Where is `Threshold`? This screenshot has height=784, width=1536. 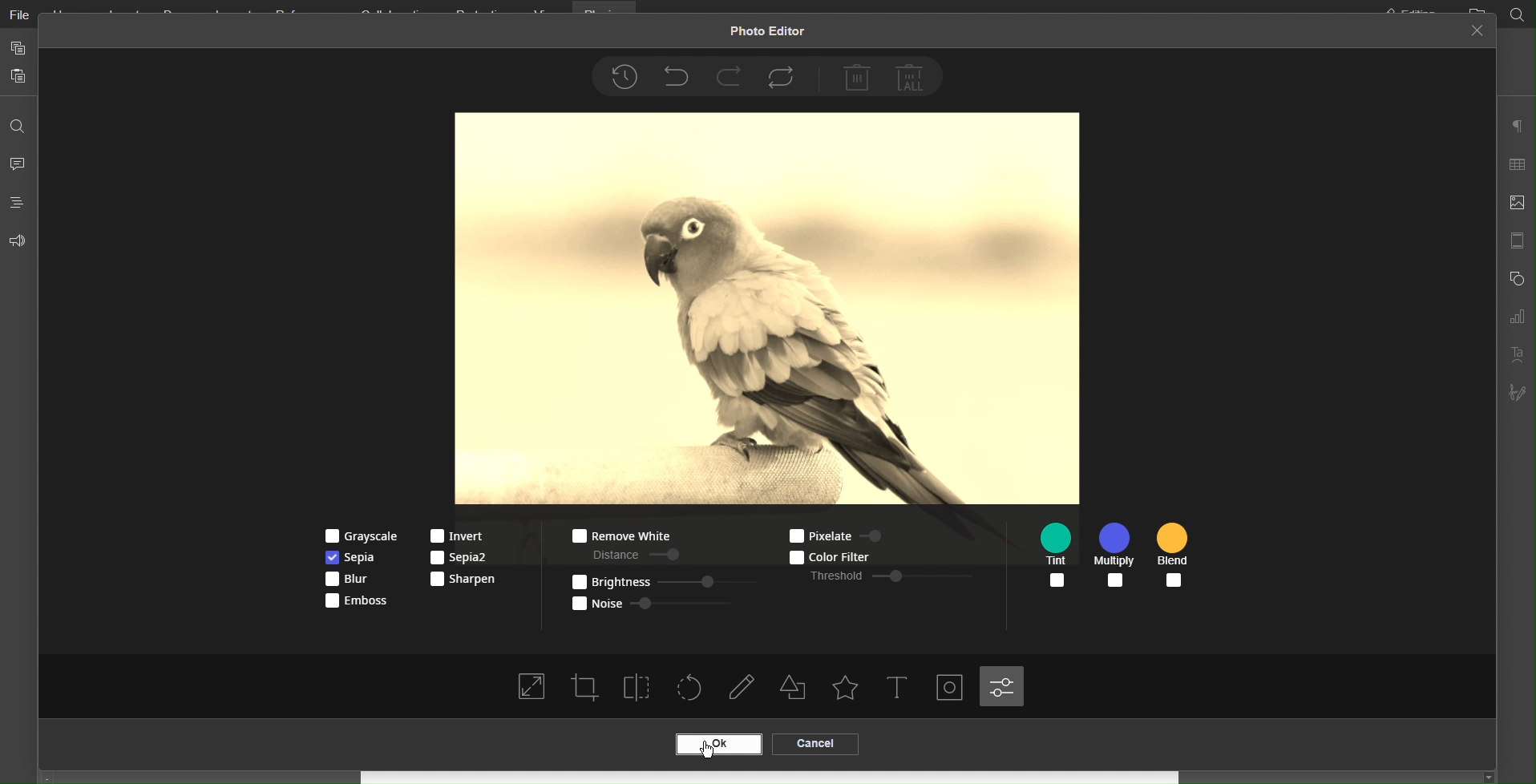
Threshold is located at coordinates (892, 576).